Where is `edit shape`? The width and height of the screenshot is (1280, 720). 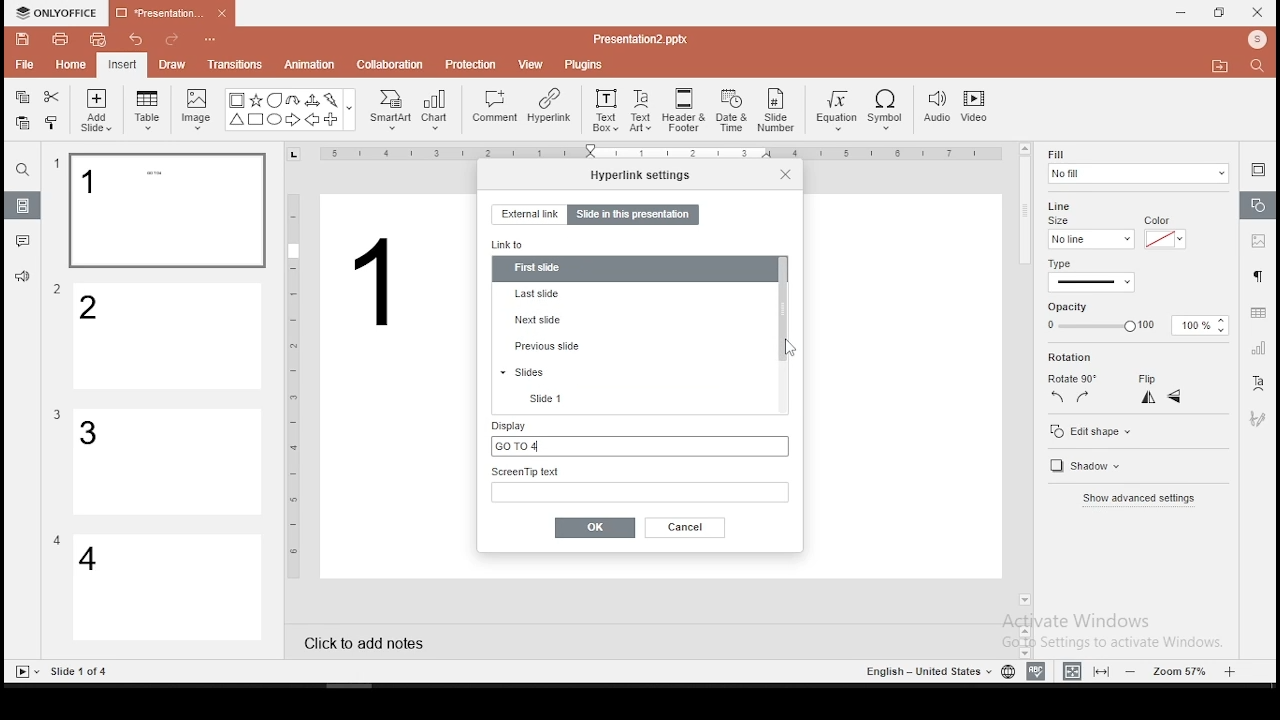
edit shape is located at coordinates (1089, 431).